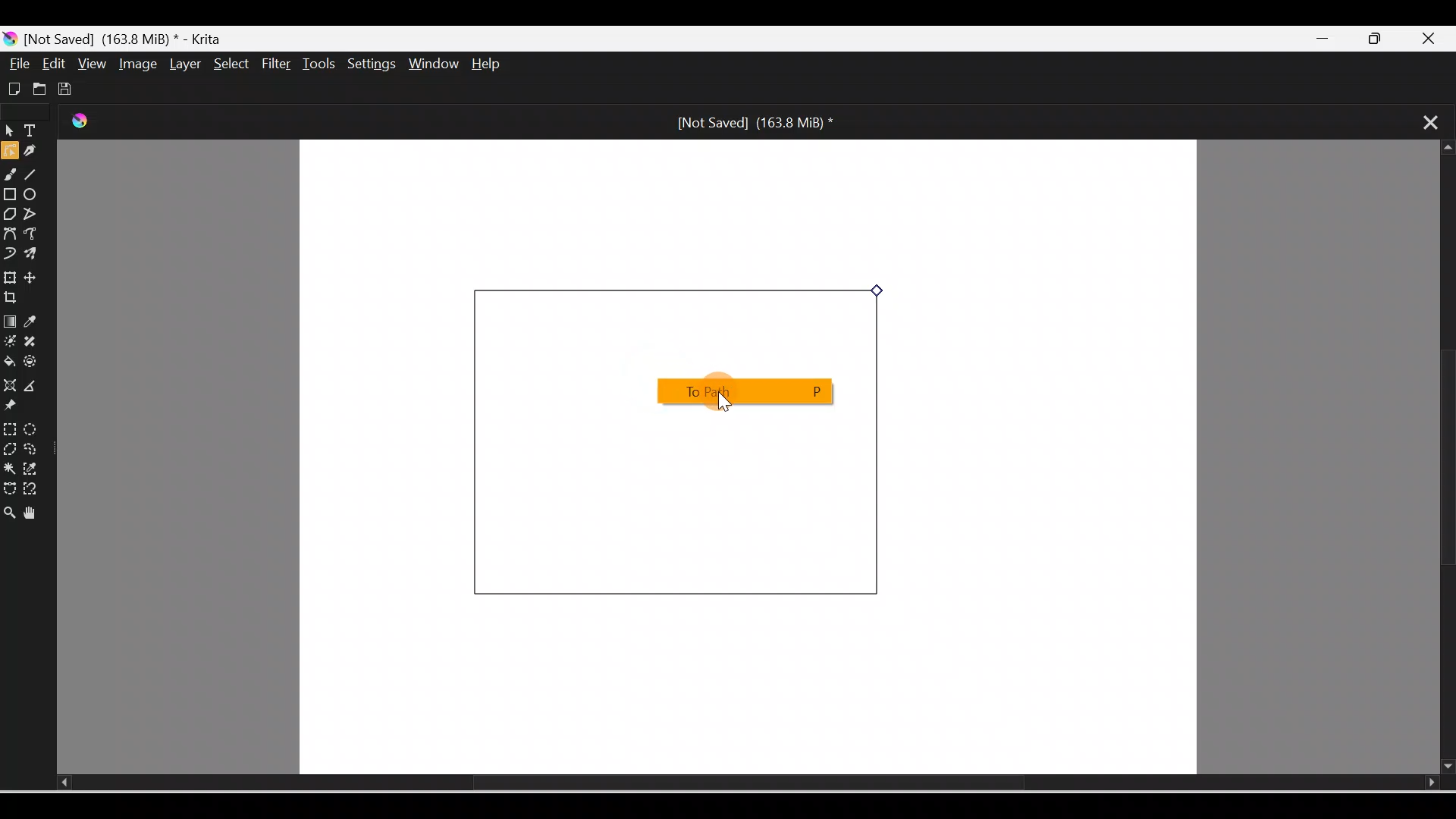  Describe the element at coordinates (751, 121) in the screenshot. I see `[Not Saved] (171.2 MiB) * ` at that location.